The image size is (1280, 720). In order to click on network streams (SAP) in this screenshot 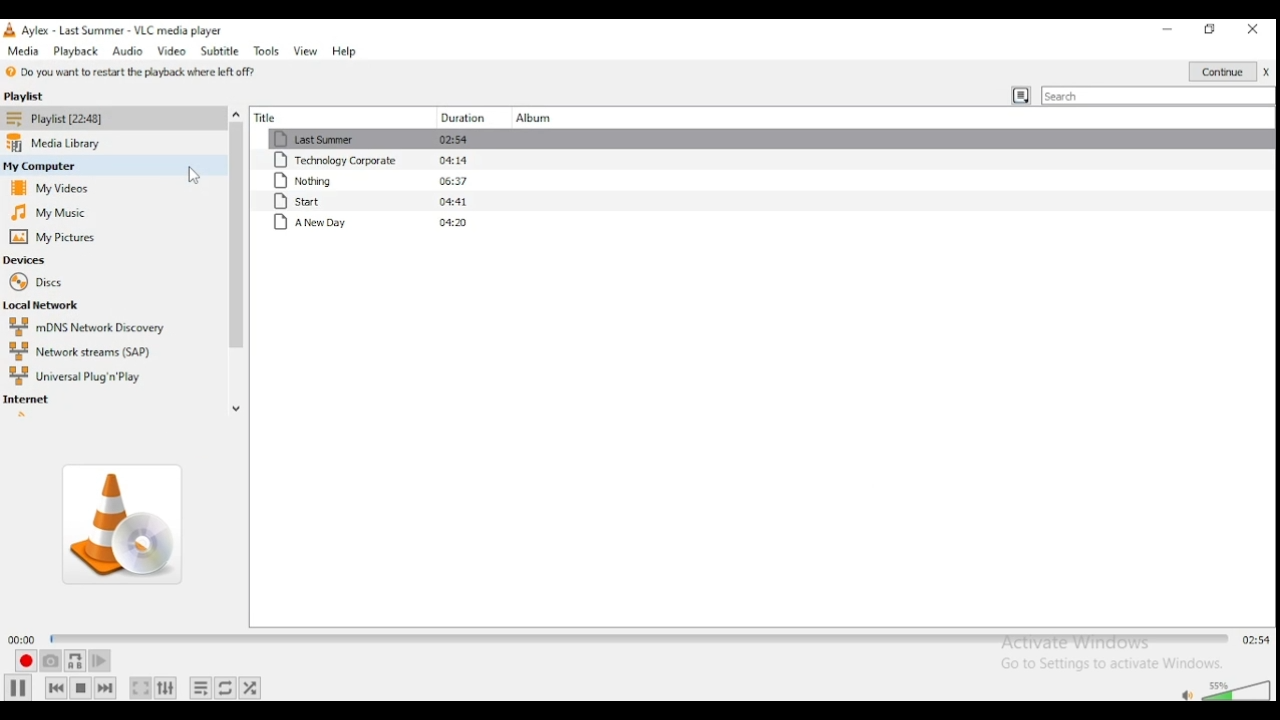, I will do `click(79, 350)`.